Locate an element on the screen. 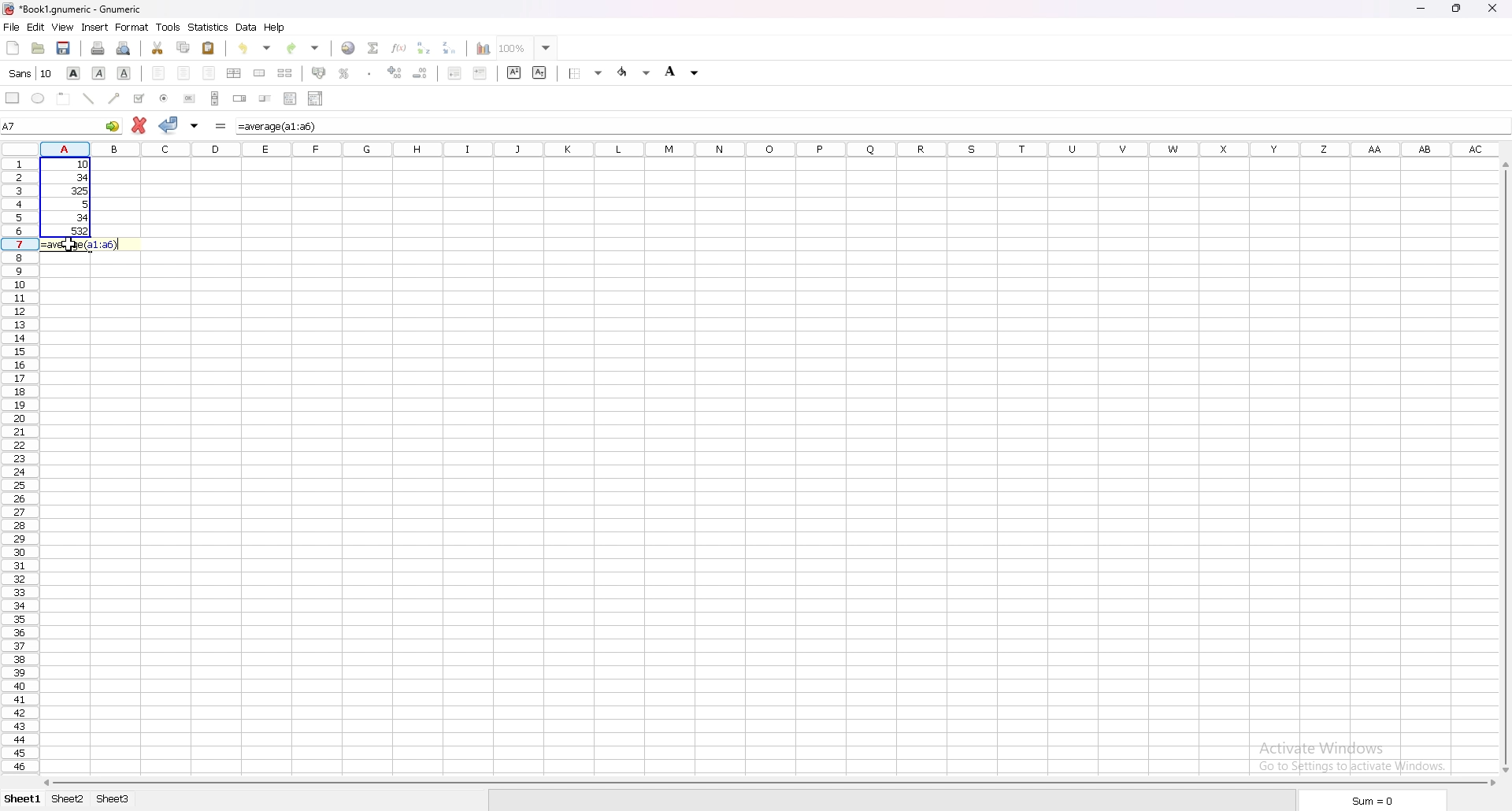 Image resolution: width=1512 pixels, height=811 pixels. zoom is located at coordinates (526, 48).